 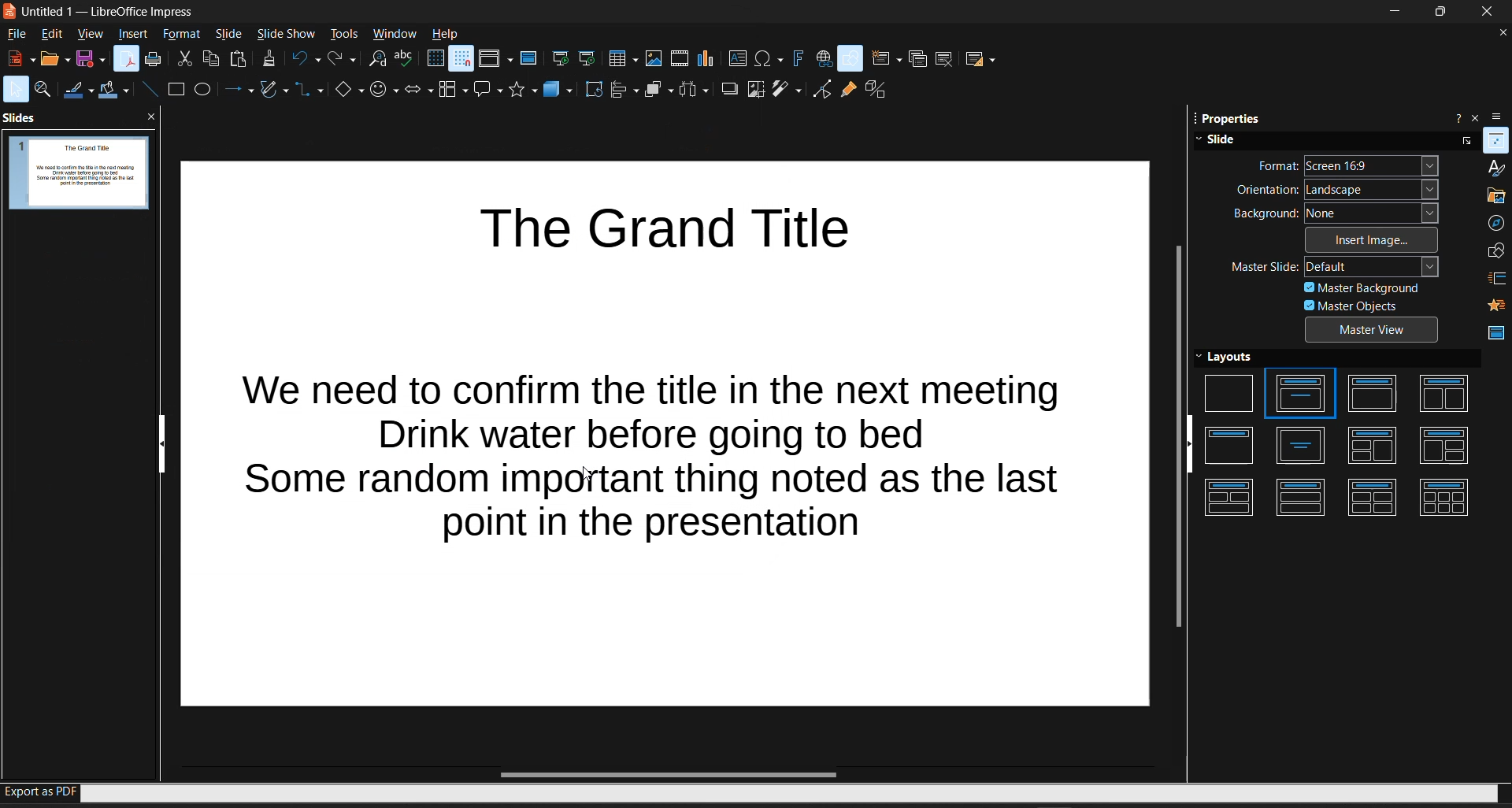 What do you see at coordinates (1456, 117) in the screenshot?
I see `help about sidebar deck` at bounding box center [1456, 117].